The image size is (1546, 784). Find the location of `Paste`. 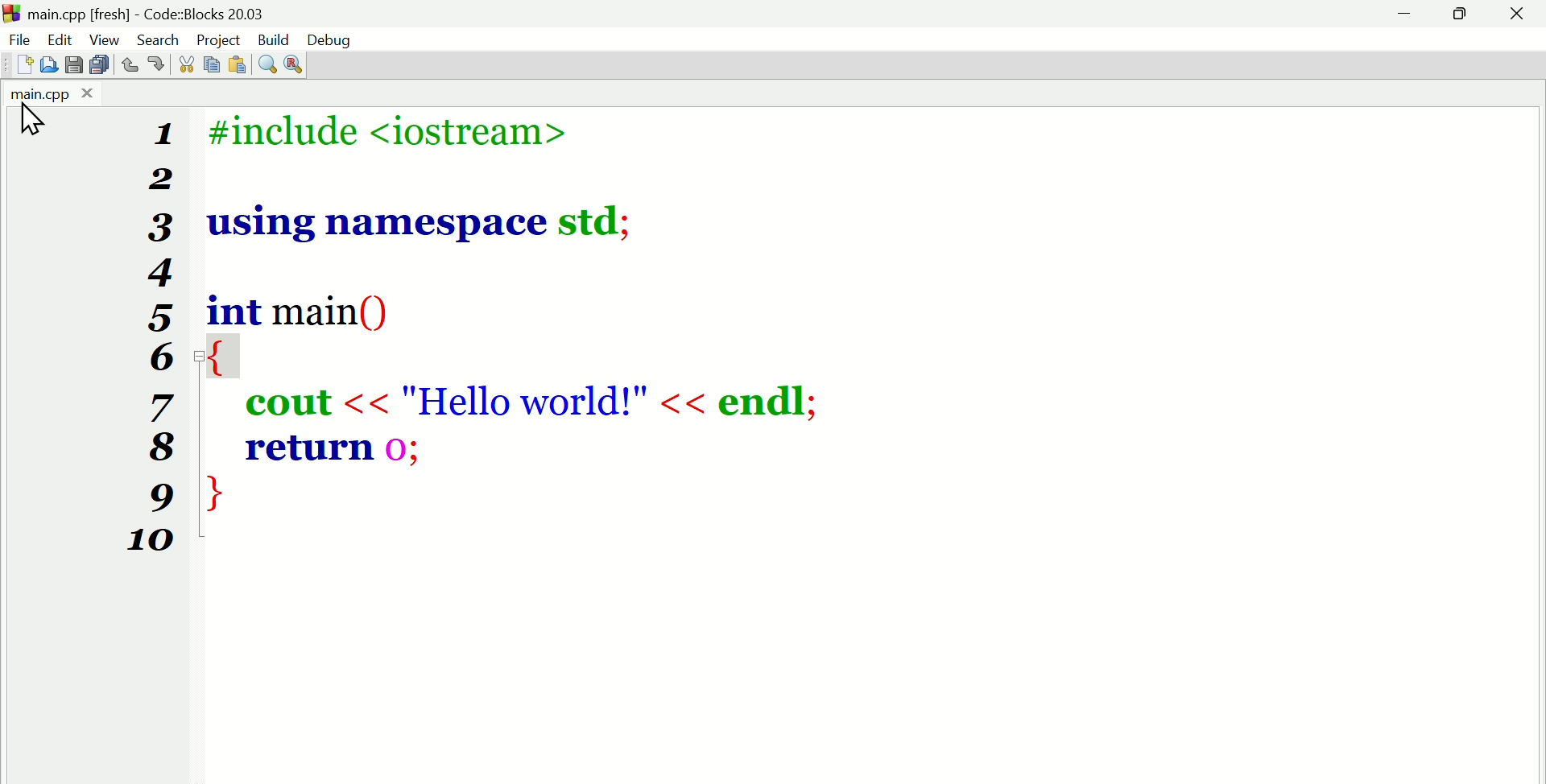

Paste is located at coordinates (241, 62).